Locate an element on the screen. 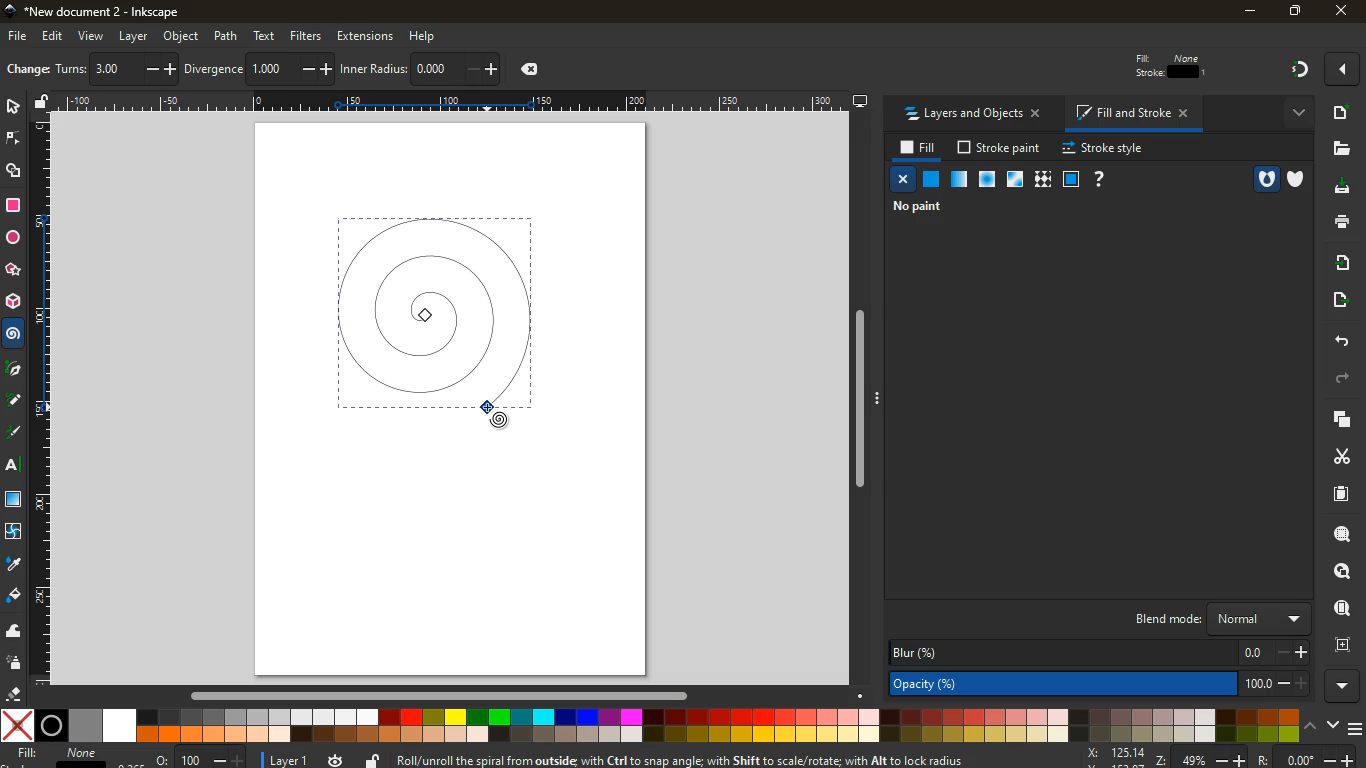  layers and objects is located at coordinates (970, 114).